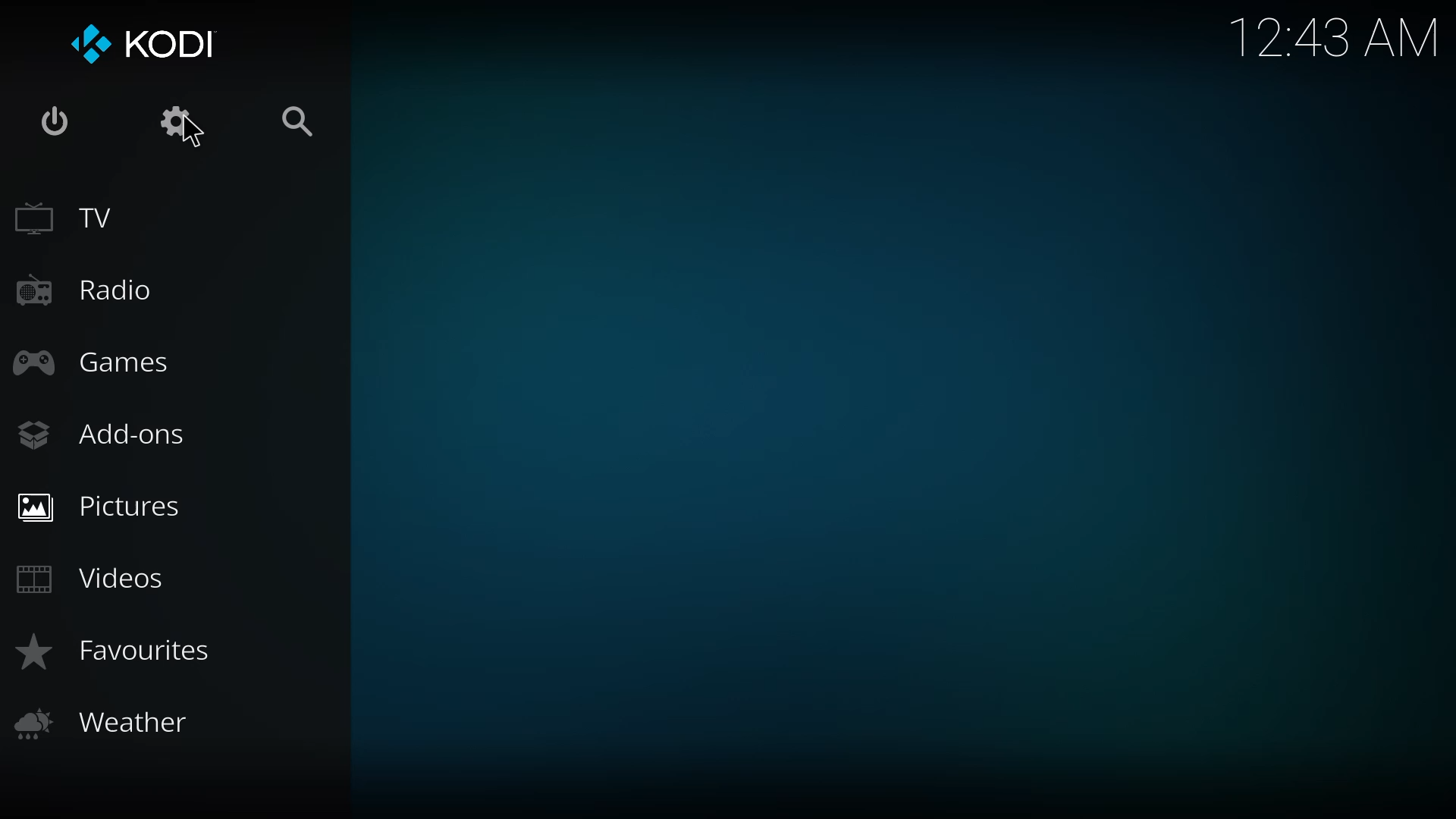  What do you see at coordinates (111, 720) in the screenshot?
I see `weather` at bounding box center [111, 720].